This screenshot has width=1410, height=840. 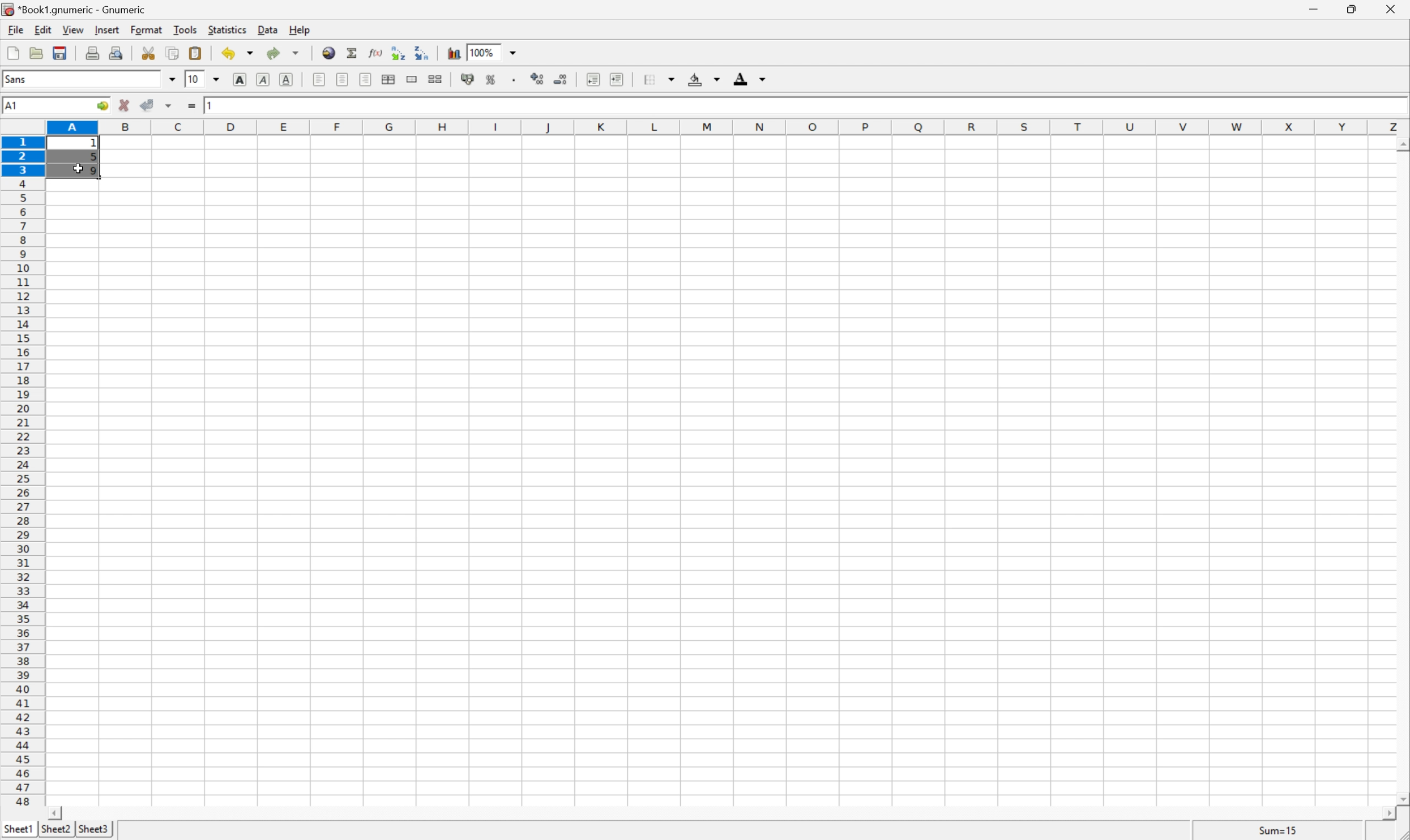 What do you see at coordinates (453, 52) in the screenshot?
I see `insert chart` at bounding box center [453, 52].